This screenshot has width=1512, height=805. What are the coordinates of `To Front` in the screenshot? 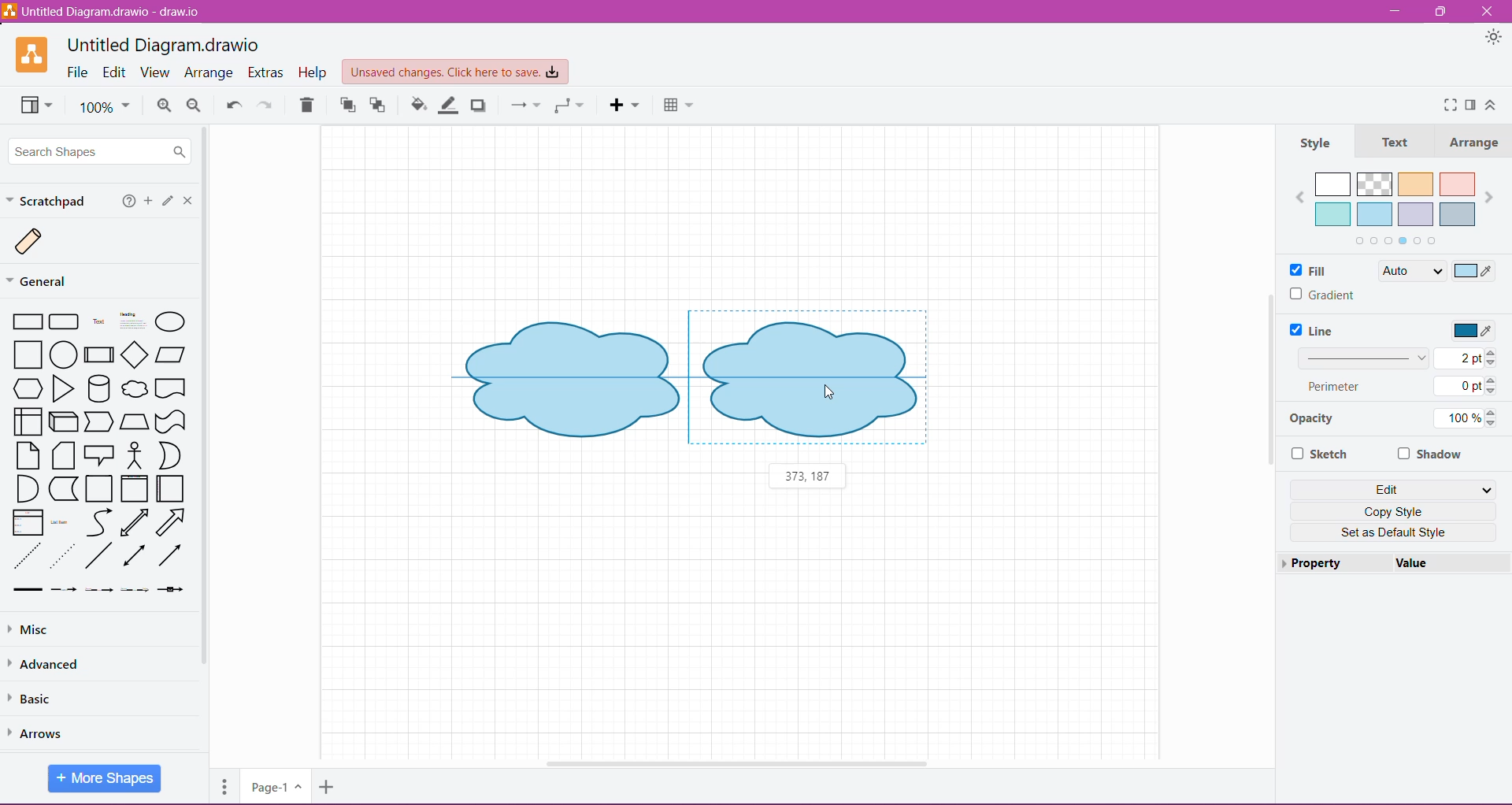 It's located at (346, 106).